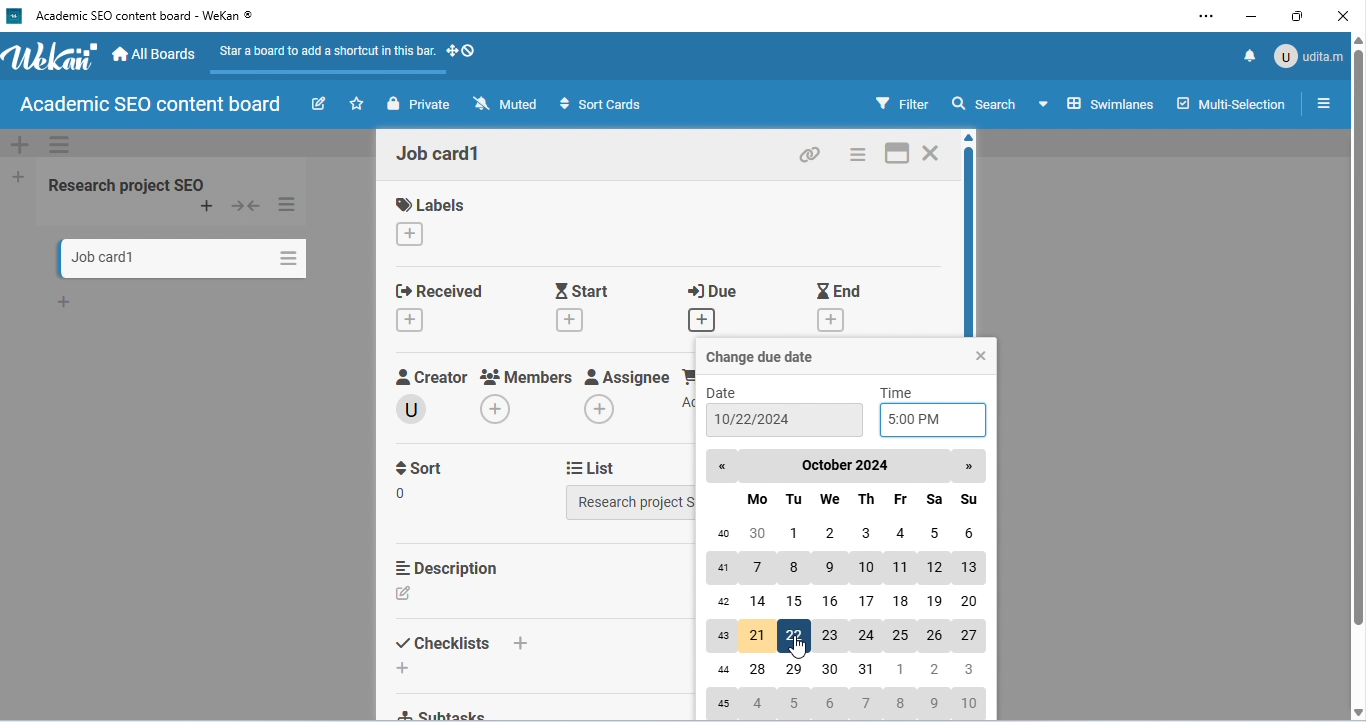 Image resolution: width=1366 pixels, height=722 pixels. I want to click on add due date, so click(703, 318).